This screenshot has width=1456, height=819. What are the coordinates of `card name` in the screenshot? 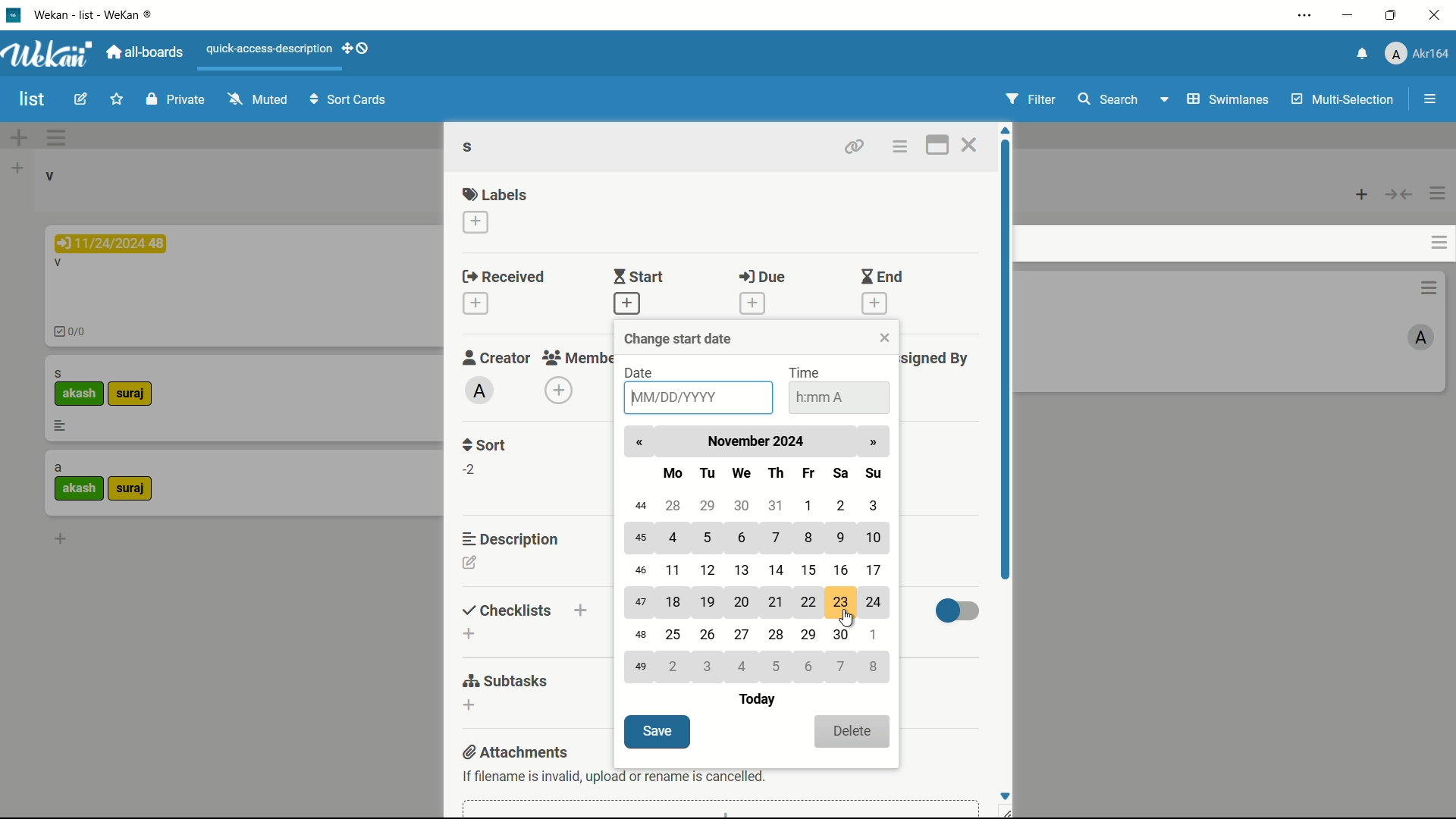 It's located at (58, 373).